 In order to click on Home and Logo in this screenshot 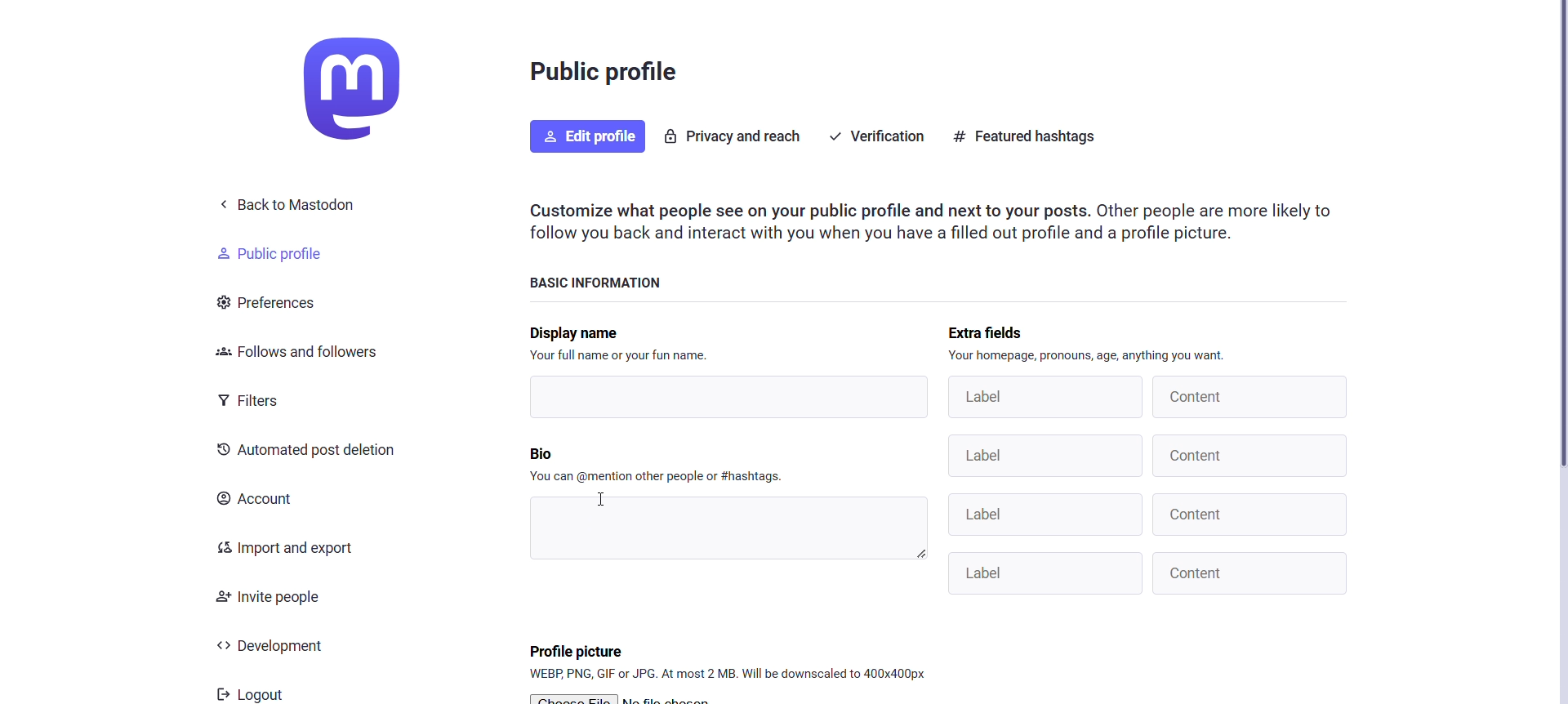, I will do `click(367, 88)`.